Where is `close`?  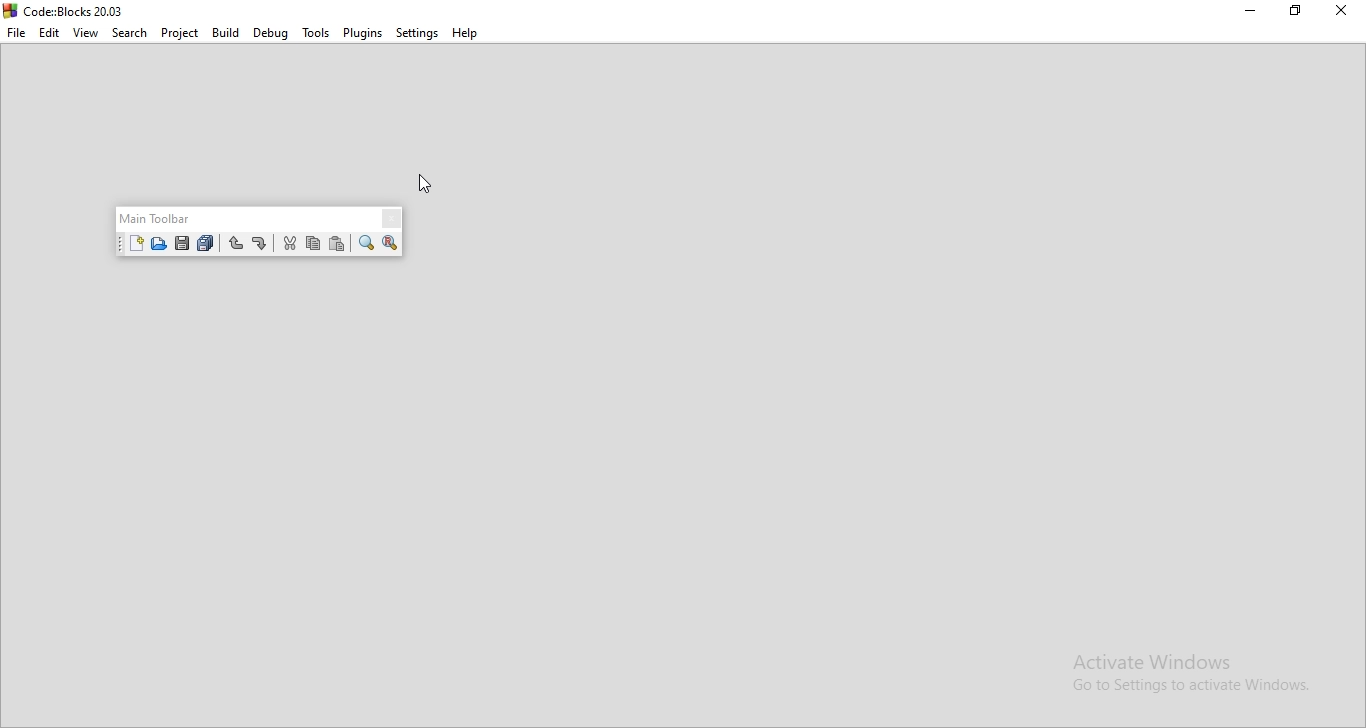 close is located at coordinates (1345, 12).